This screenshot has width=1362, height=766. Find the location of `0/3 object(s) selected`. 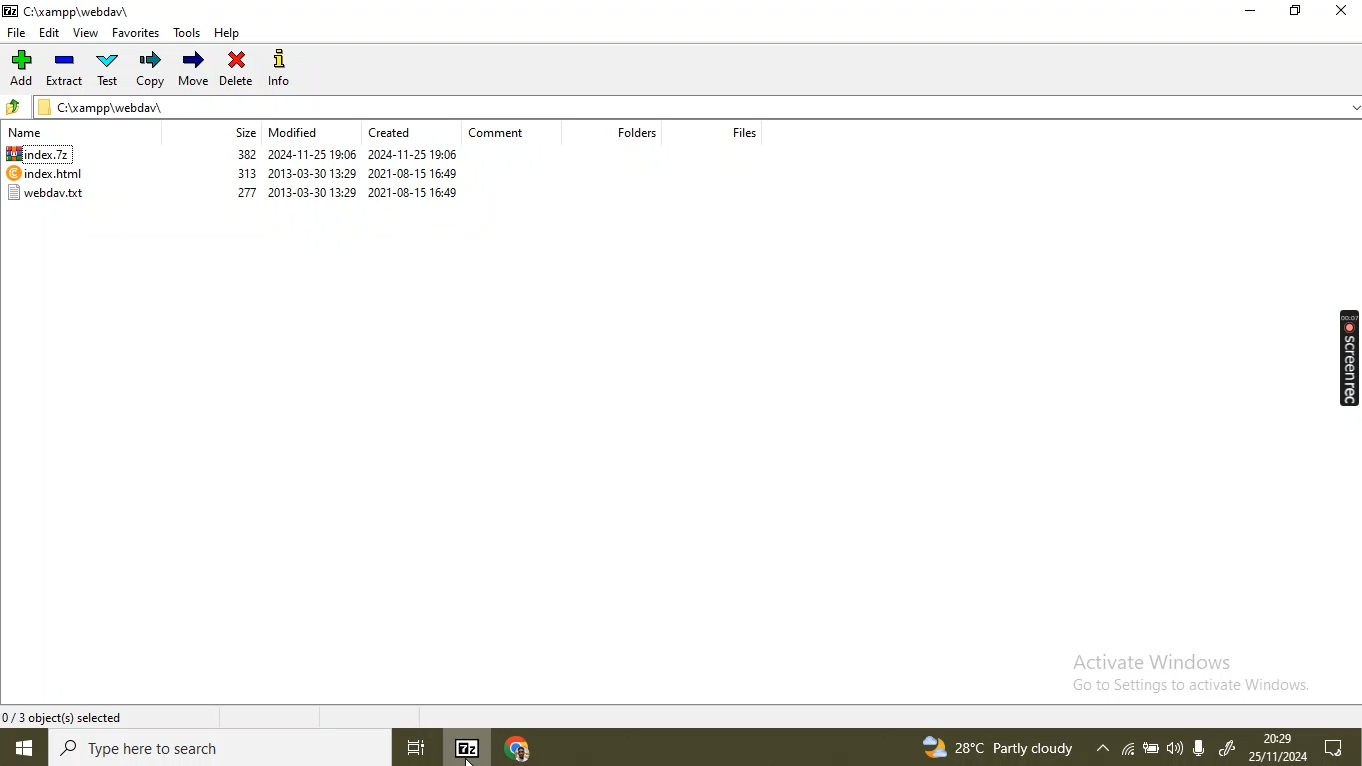

0/3 object(s) selected is located at coordinates (62, 717).